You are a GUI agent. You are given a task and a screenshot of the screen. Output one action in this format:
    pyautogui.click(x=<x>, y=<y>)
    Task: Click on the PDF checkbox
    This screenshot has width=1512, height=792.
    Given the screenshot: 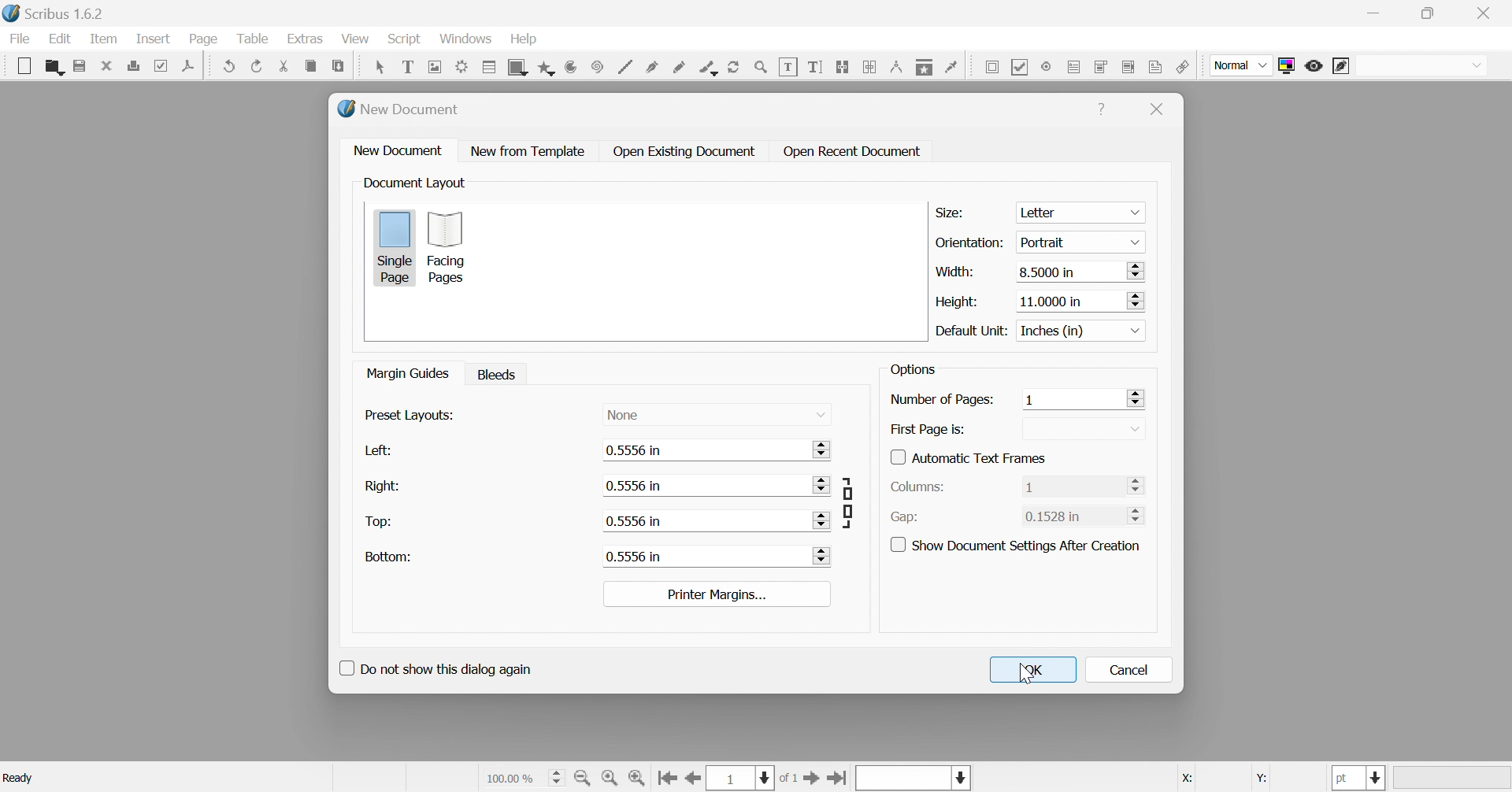 What is the action you would take?
    pyautogui.click(x=1021, y=66)
    